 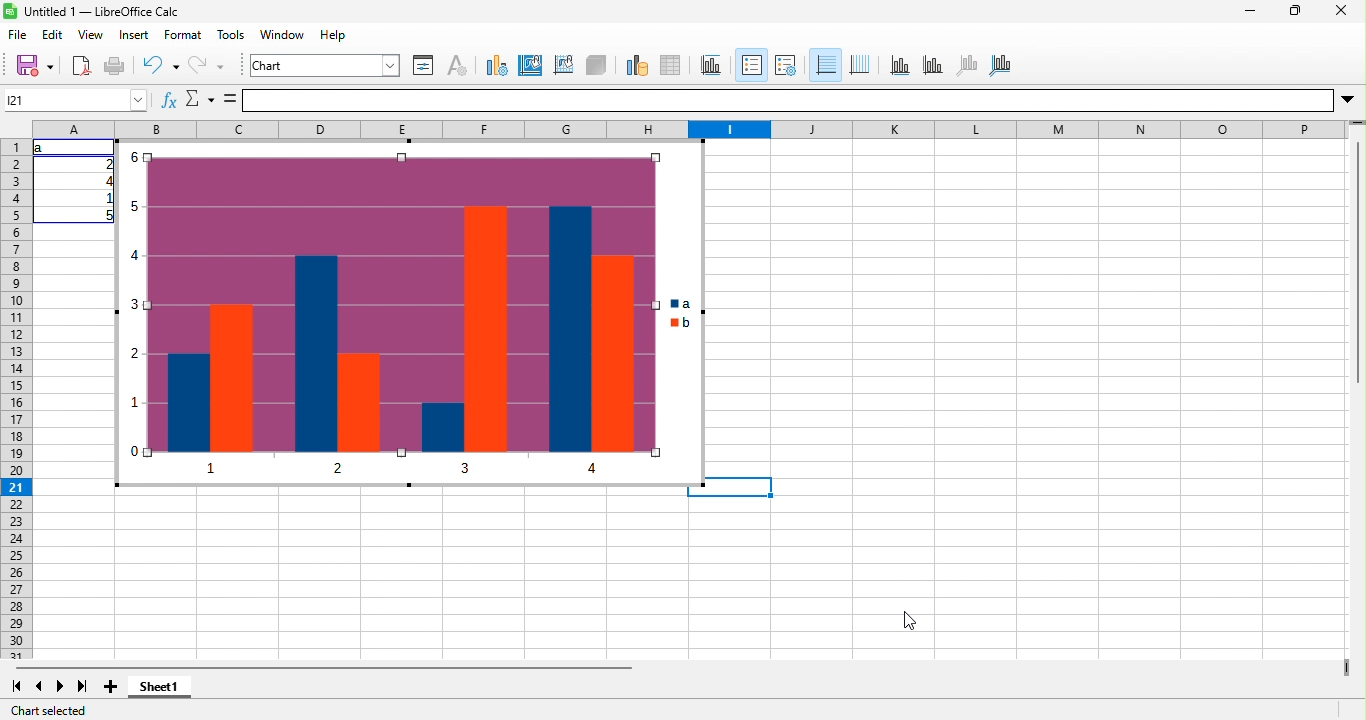 I want to click on Cell name box, so click(x=76, y=100).